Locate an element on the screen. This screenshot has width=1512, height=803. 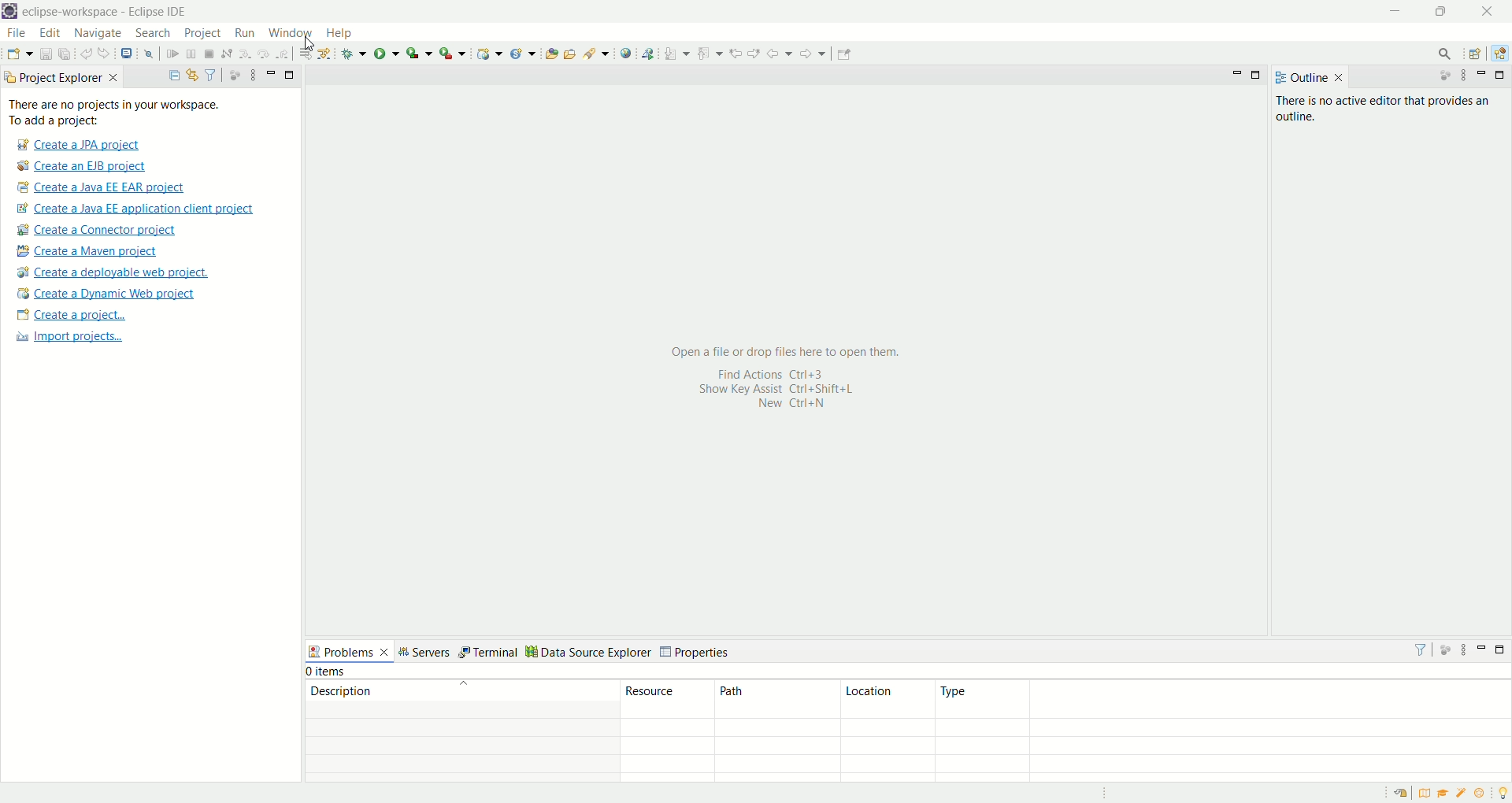
view menu is located at coordinates (250, 75).